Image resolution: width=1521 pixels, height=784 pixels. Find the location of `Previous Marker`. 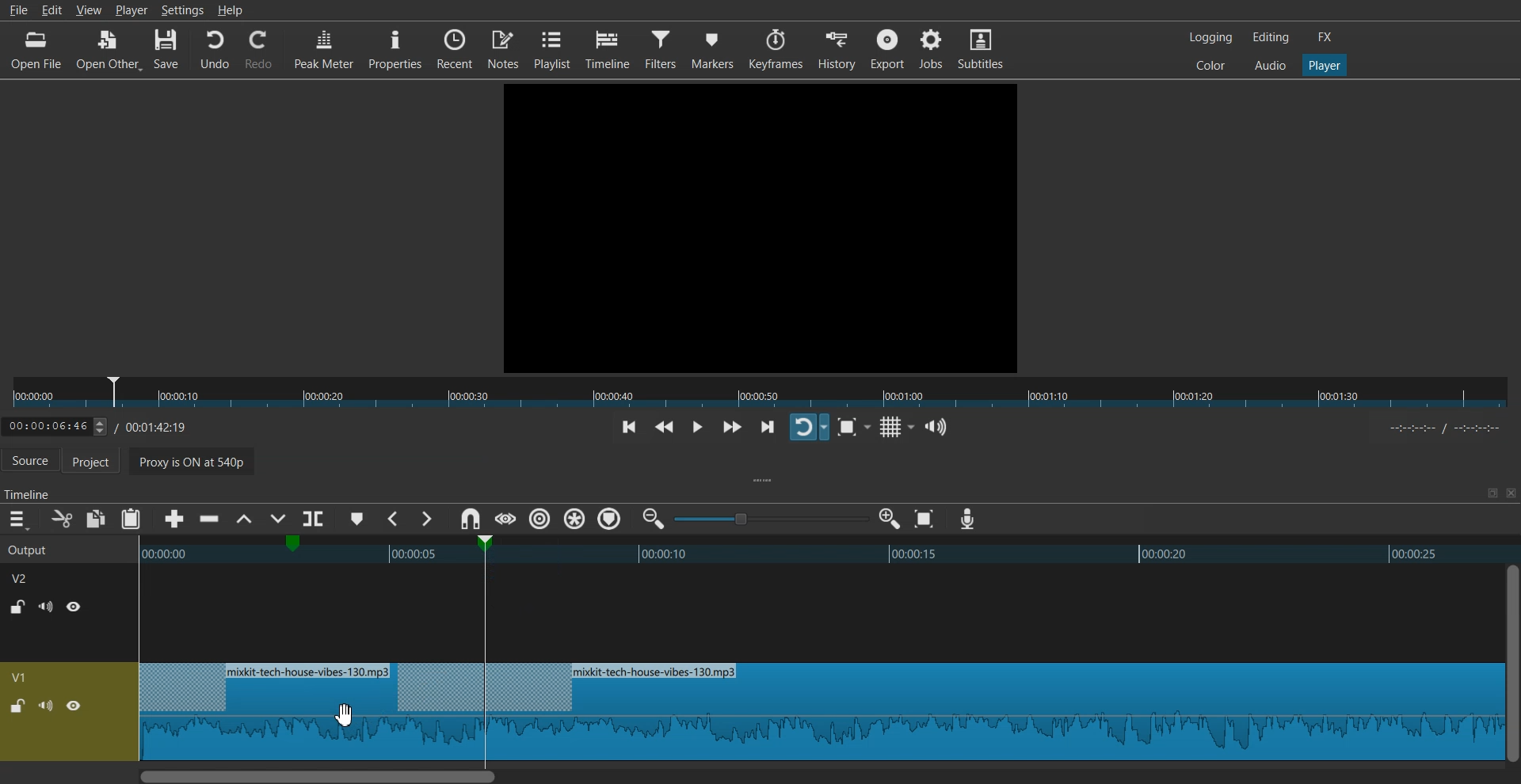

Previous Marker is located at coordinates (395, 519).